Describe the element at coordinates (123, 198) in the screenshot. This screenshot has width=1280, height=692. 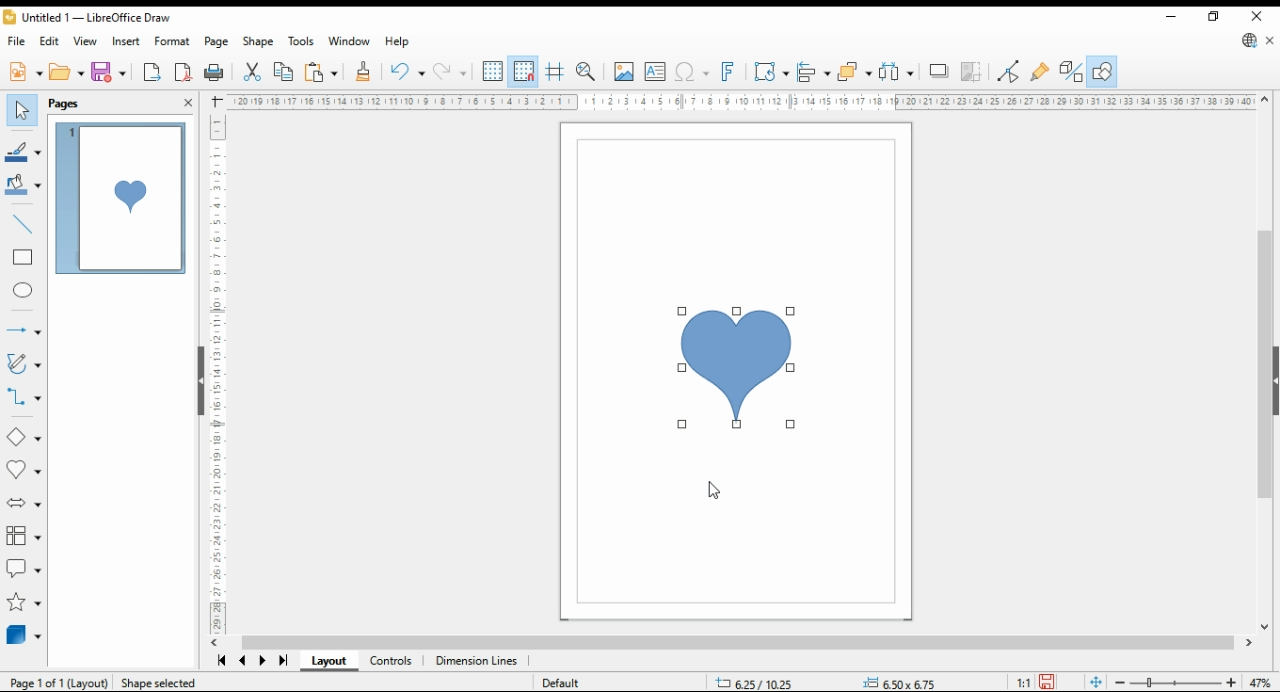
I see `page 1` at that location.